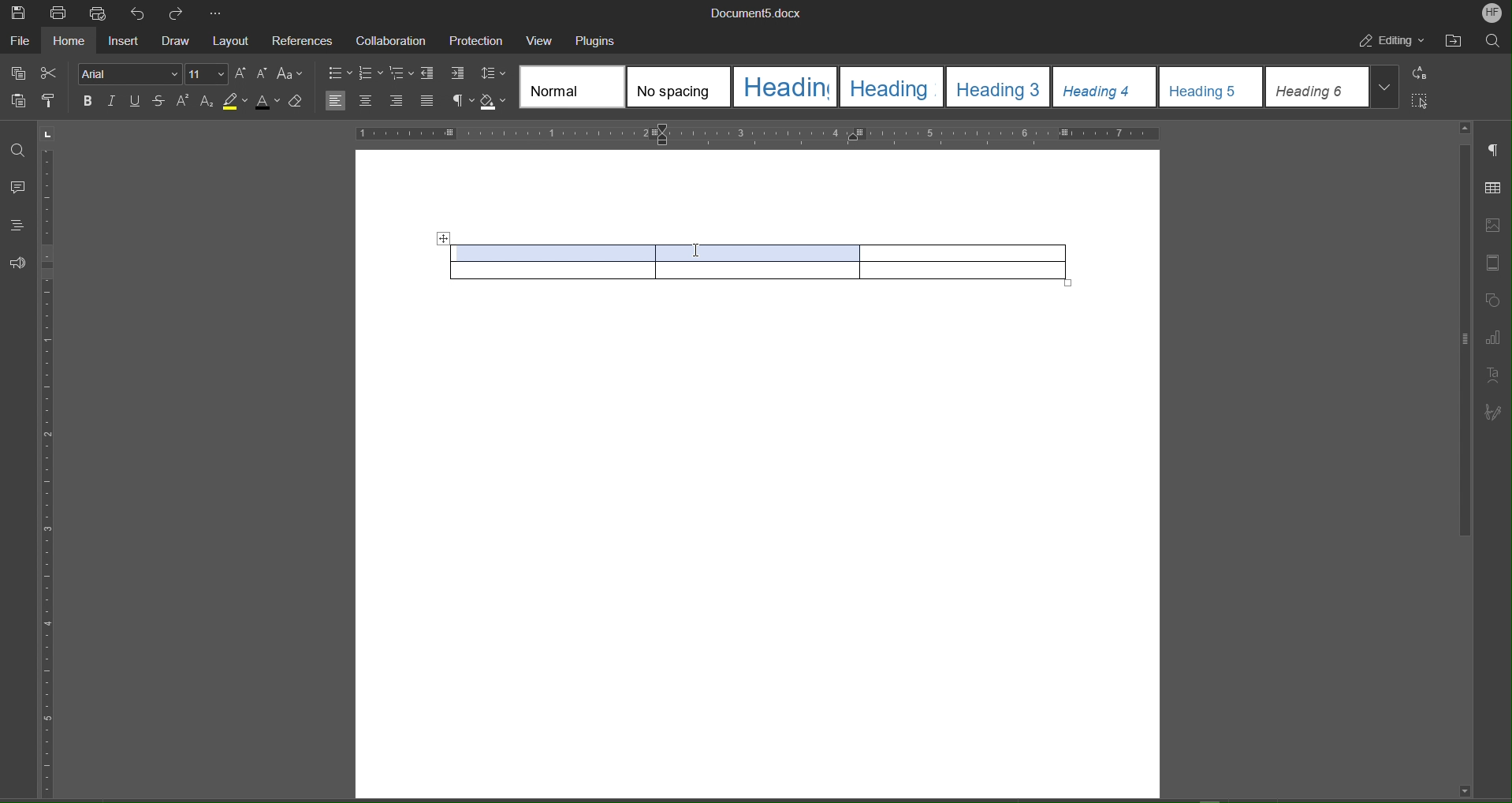  I want to click on Highlight, so click(236, 101).